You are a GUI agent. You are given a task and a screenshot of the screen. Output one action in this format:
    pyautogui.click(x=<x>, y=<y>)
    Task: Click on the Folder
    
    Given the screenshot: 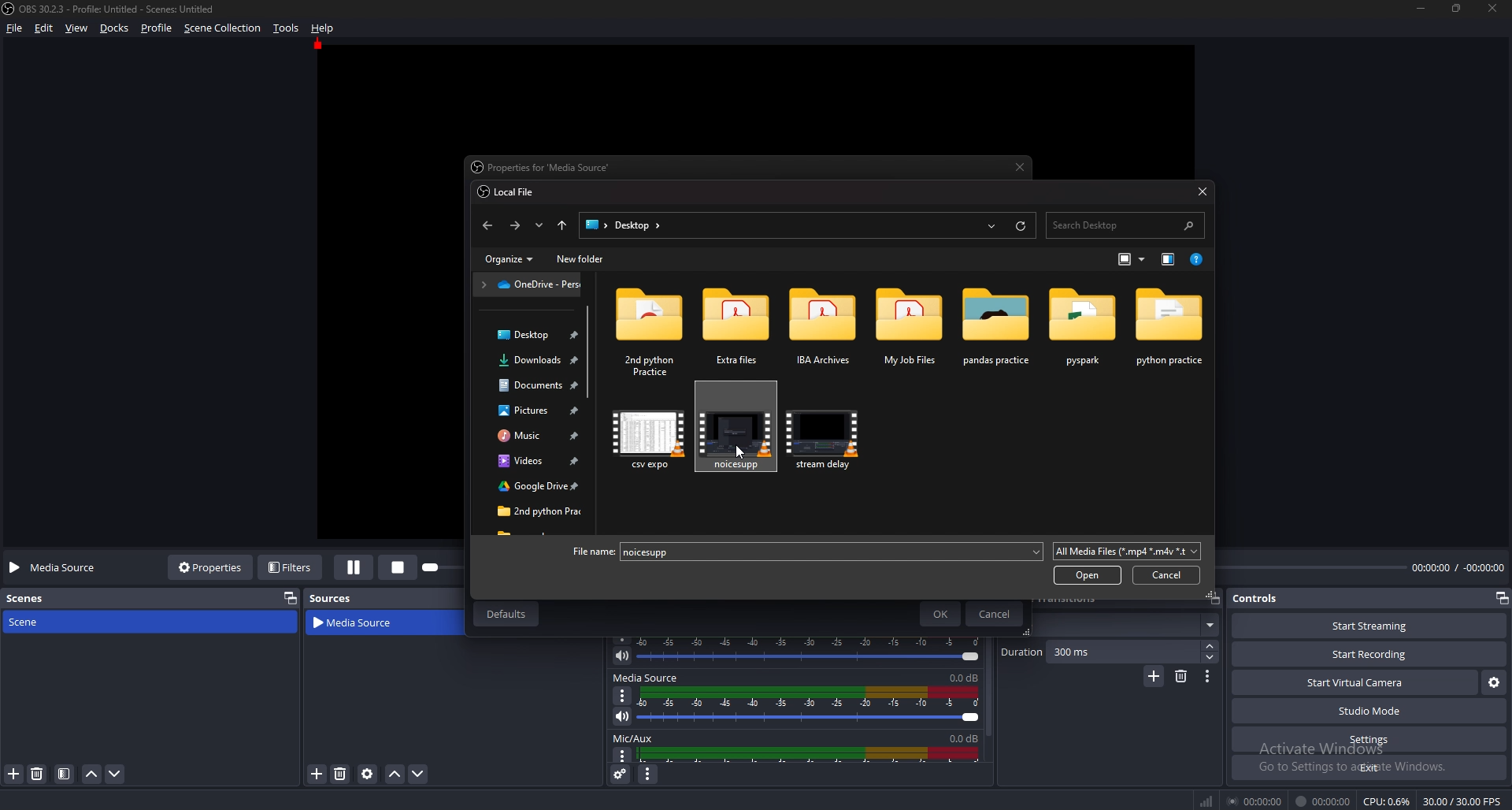 What is the action you would take?
    pyautogui.click(x=529, y=335)
    